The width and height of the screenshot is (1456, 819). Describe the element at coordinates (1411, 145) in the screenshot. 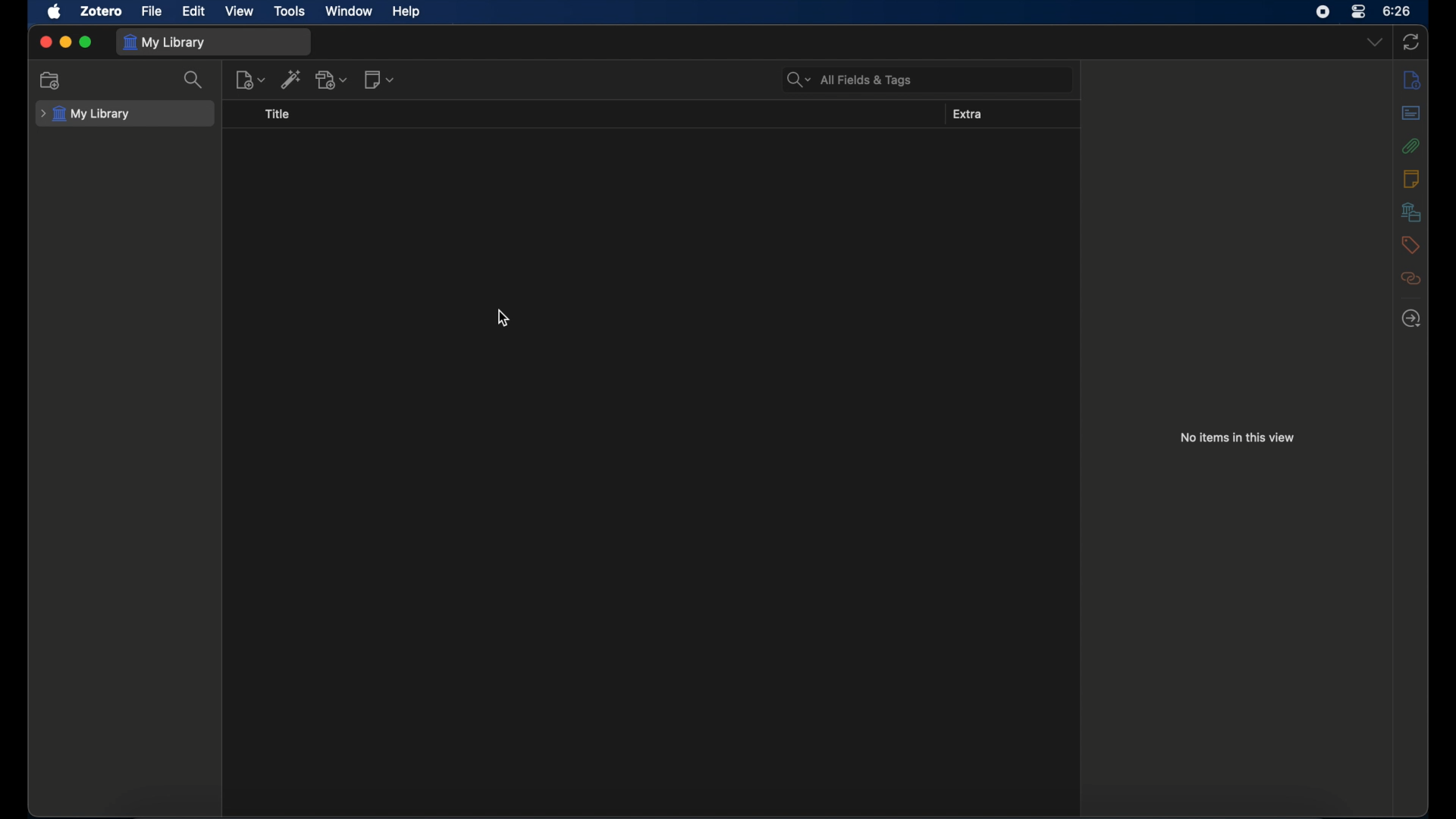

I see `attachments` at that location.